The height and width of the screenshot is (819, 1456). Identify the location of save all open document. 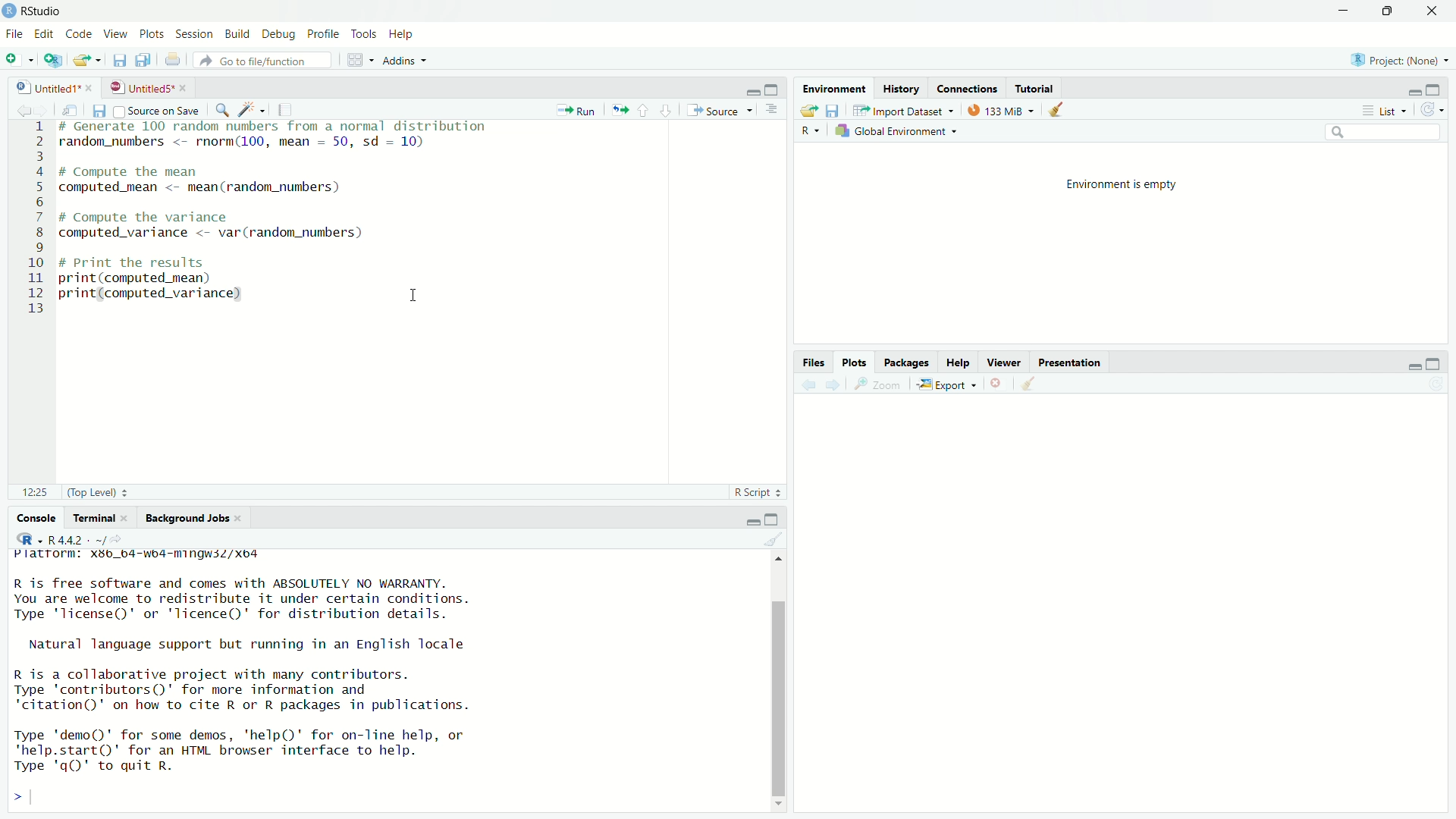
(143, 60).